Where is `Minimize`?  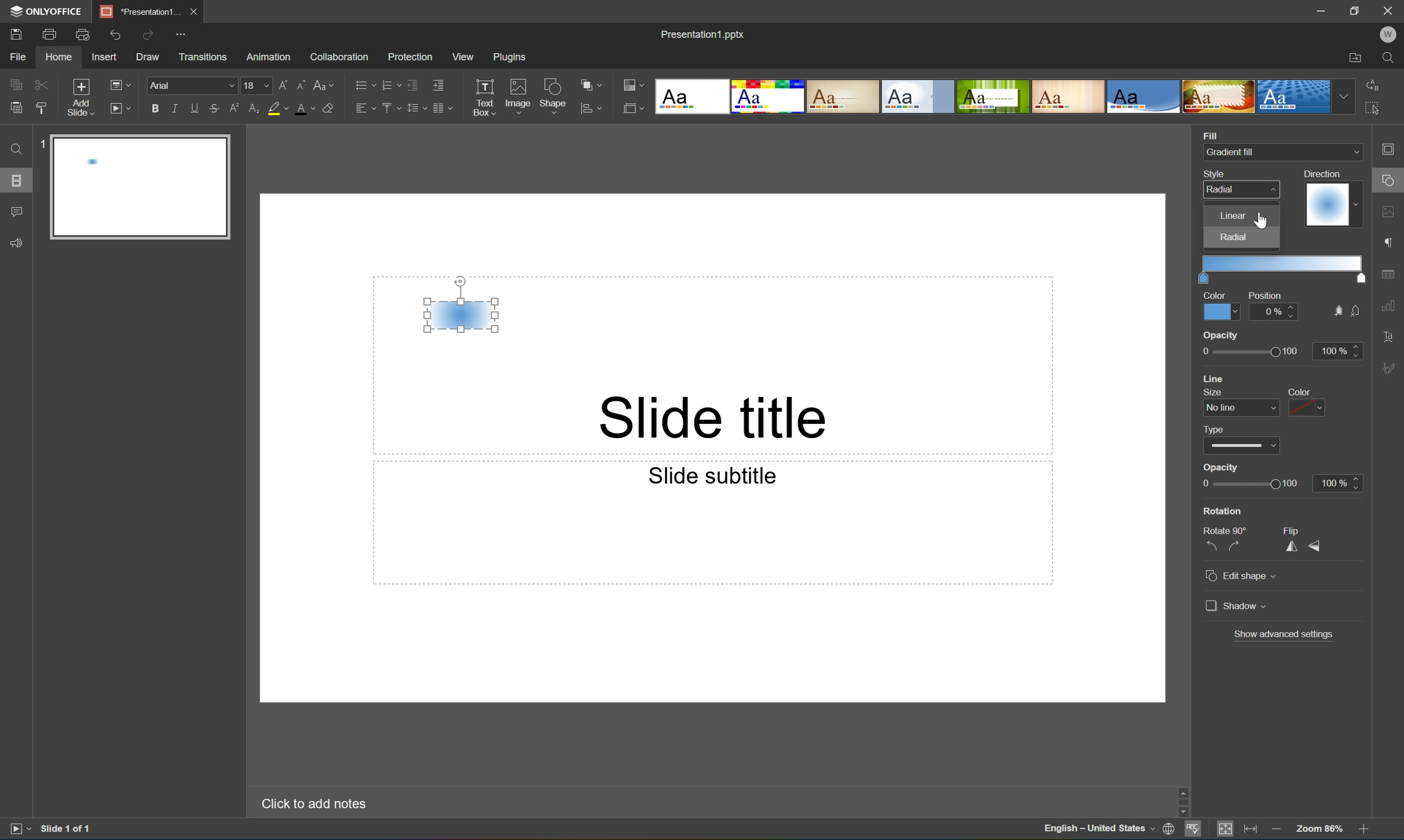 Minimize is located at coordinates (1325, 11).